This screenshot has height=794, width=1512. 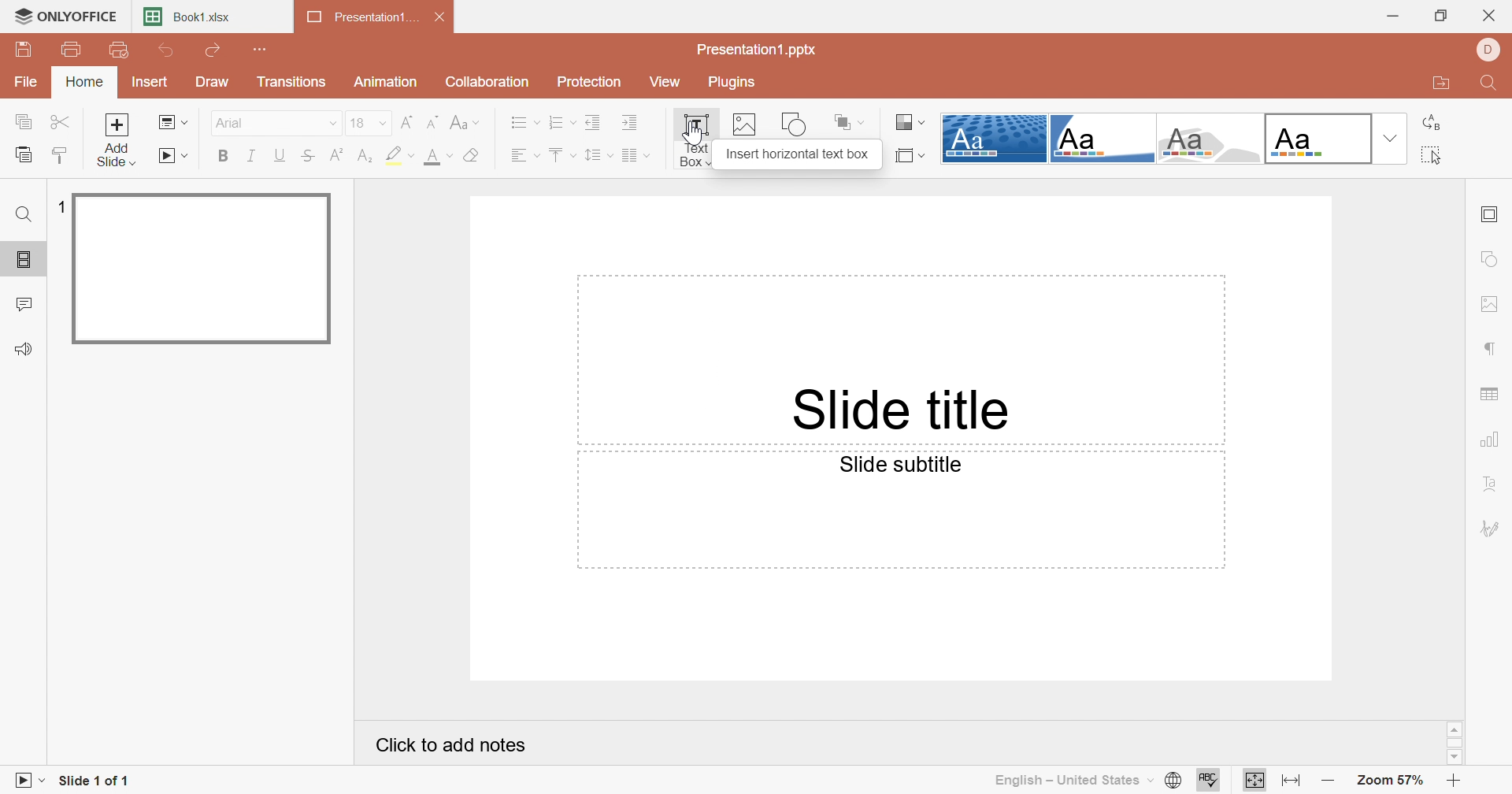 I want to click on Select slide size, so click(x=911, y=154).